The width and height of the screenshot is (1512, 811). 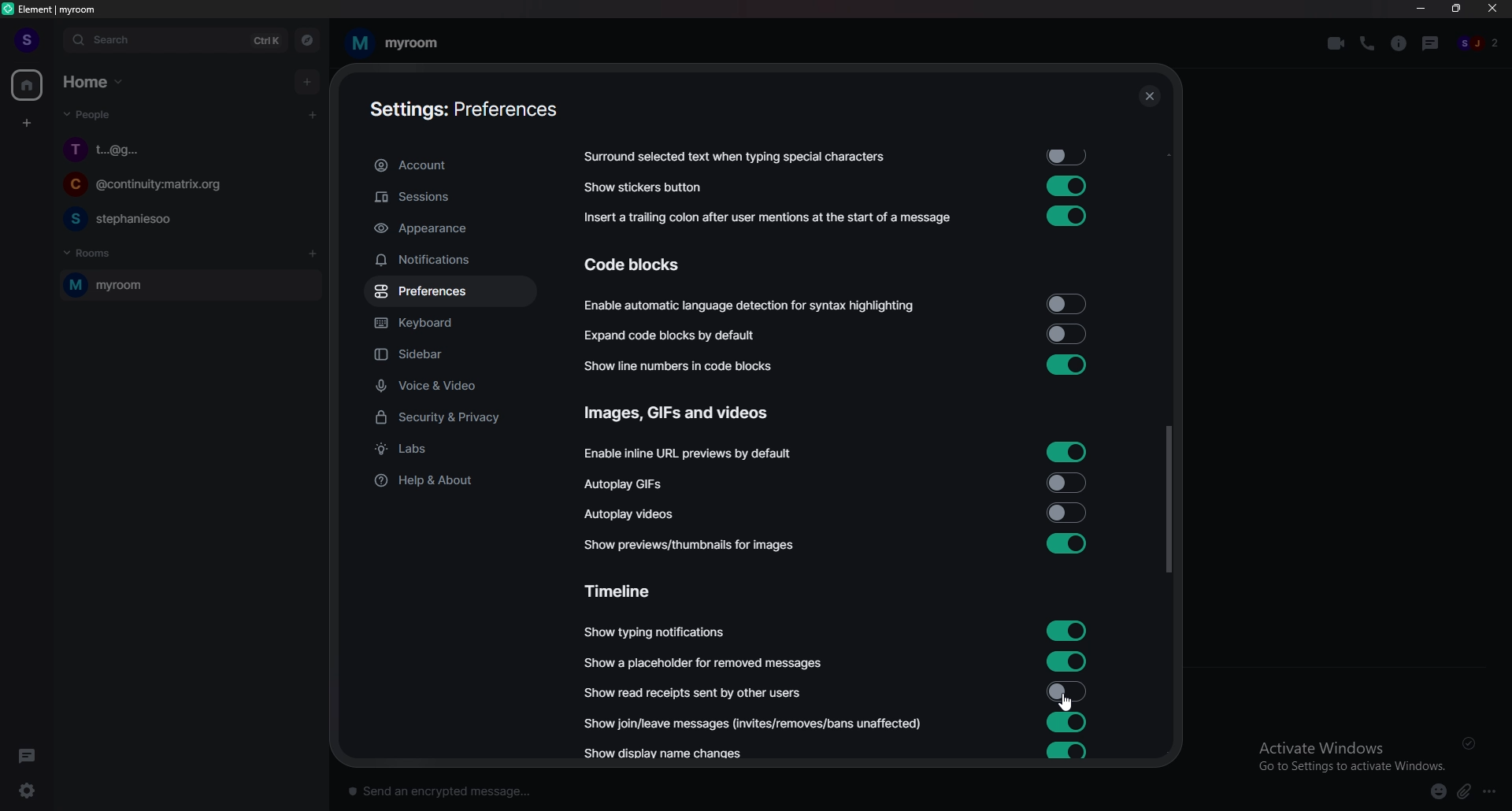 I want to click on add, so click(x=309, y=81).